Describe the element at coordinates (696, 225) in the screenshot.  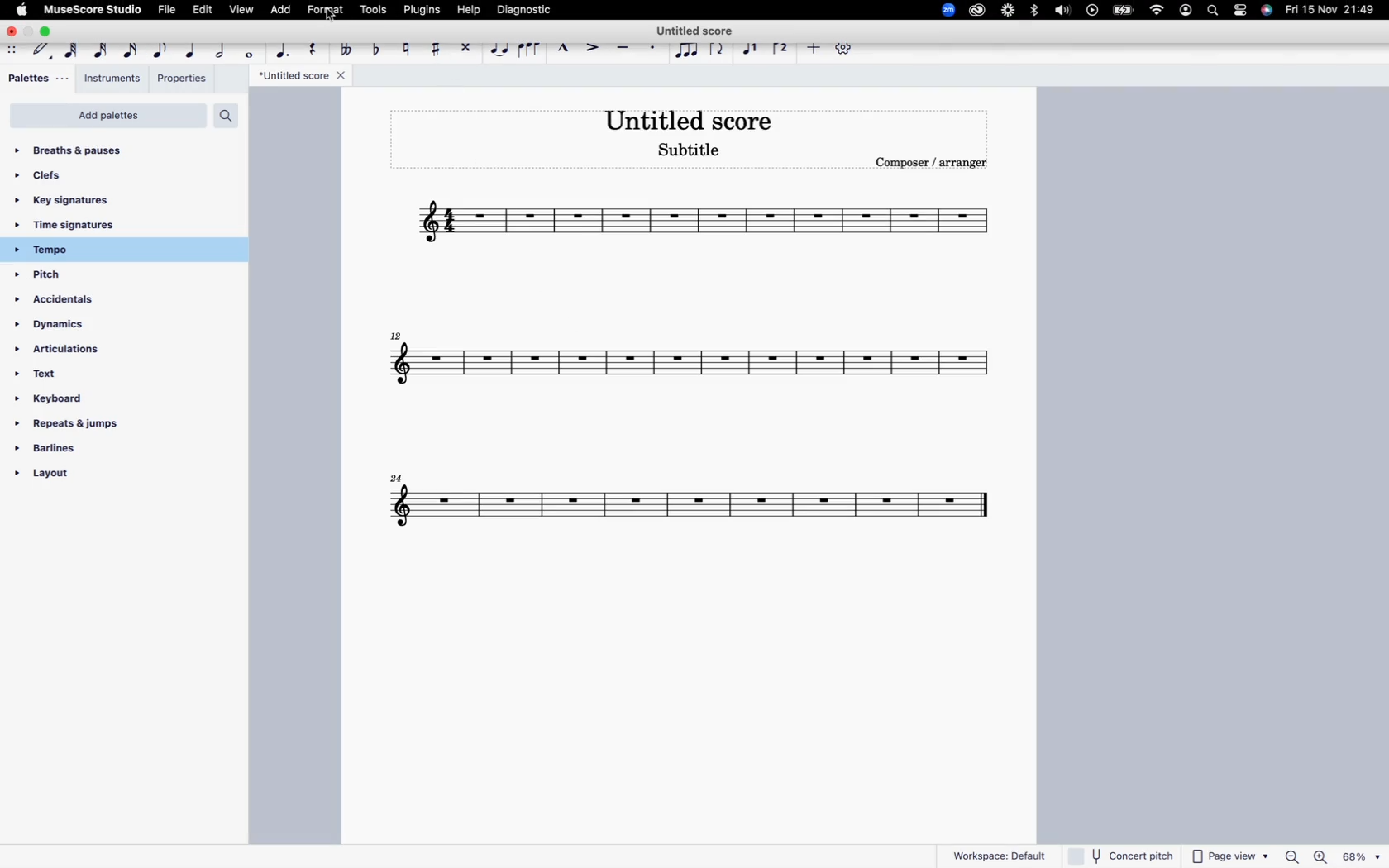
I see `score` at that location.